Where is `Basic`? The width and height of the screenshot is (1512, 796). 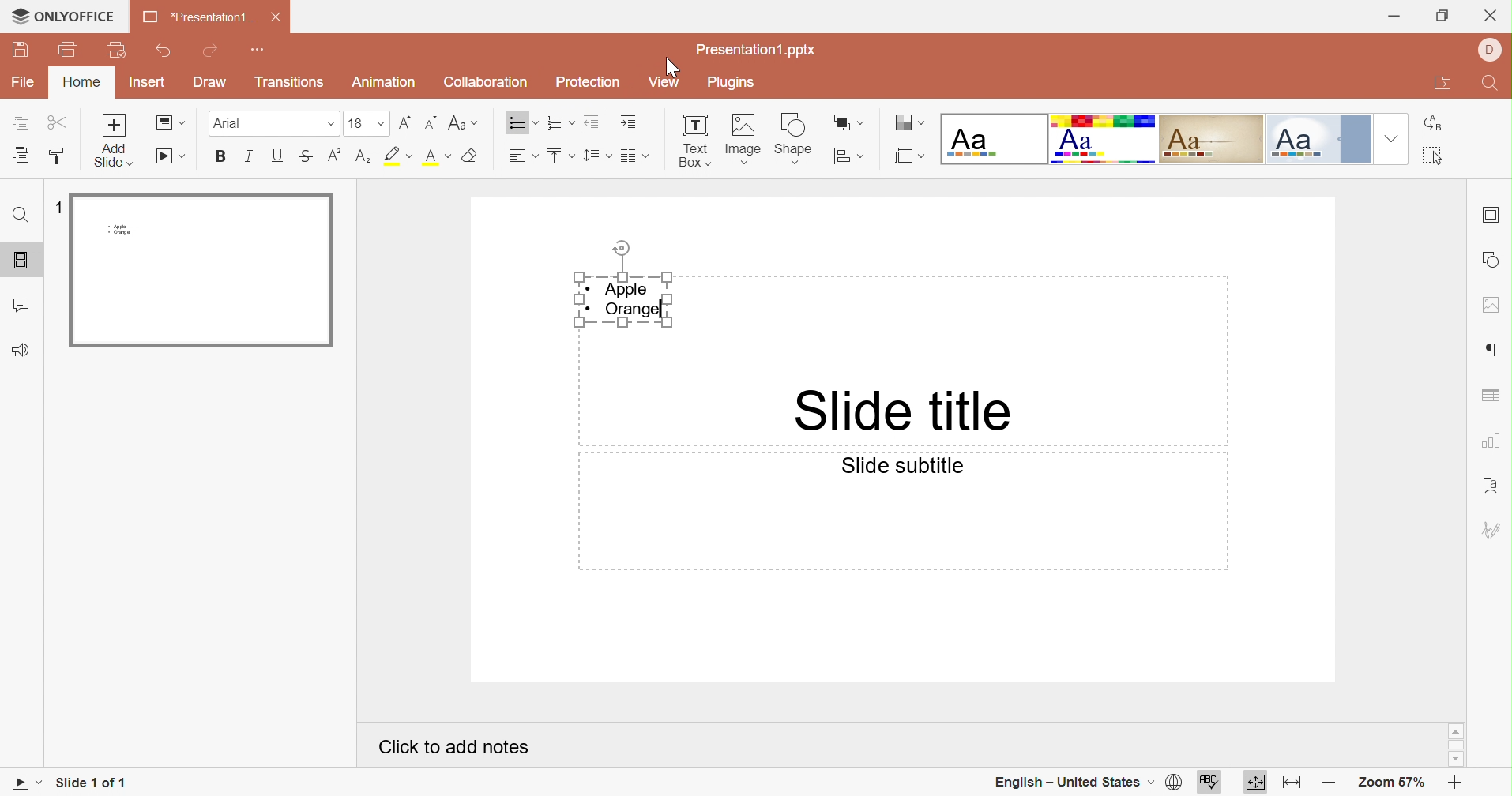
Basic is located at coordinates (1106, 141).